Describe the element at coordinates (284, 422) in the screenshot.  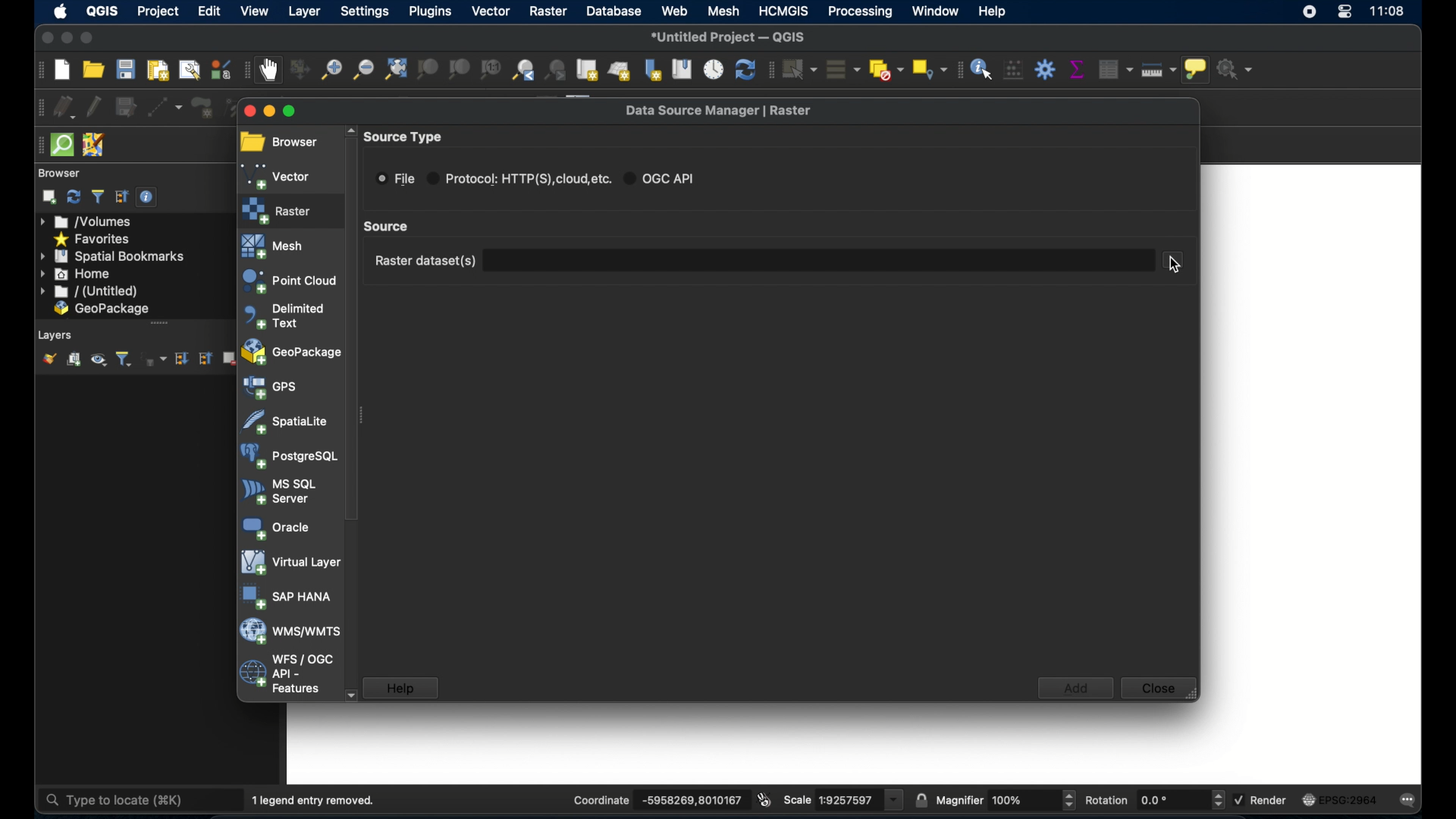
I see `spatiallite` at that location.